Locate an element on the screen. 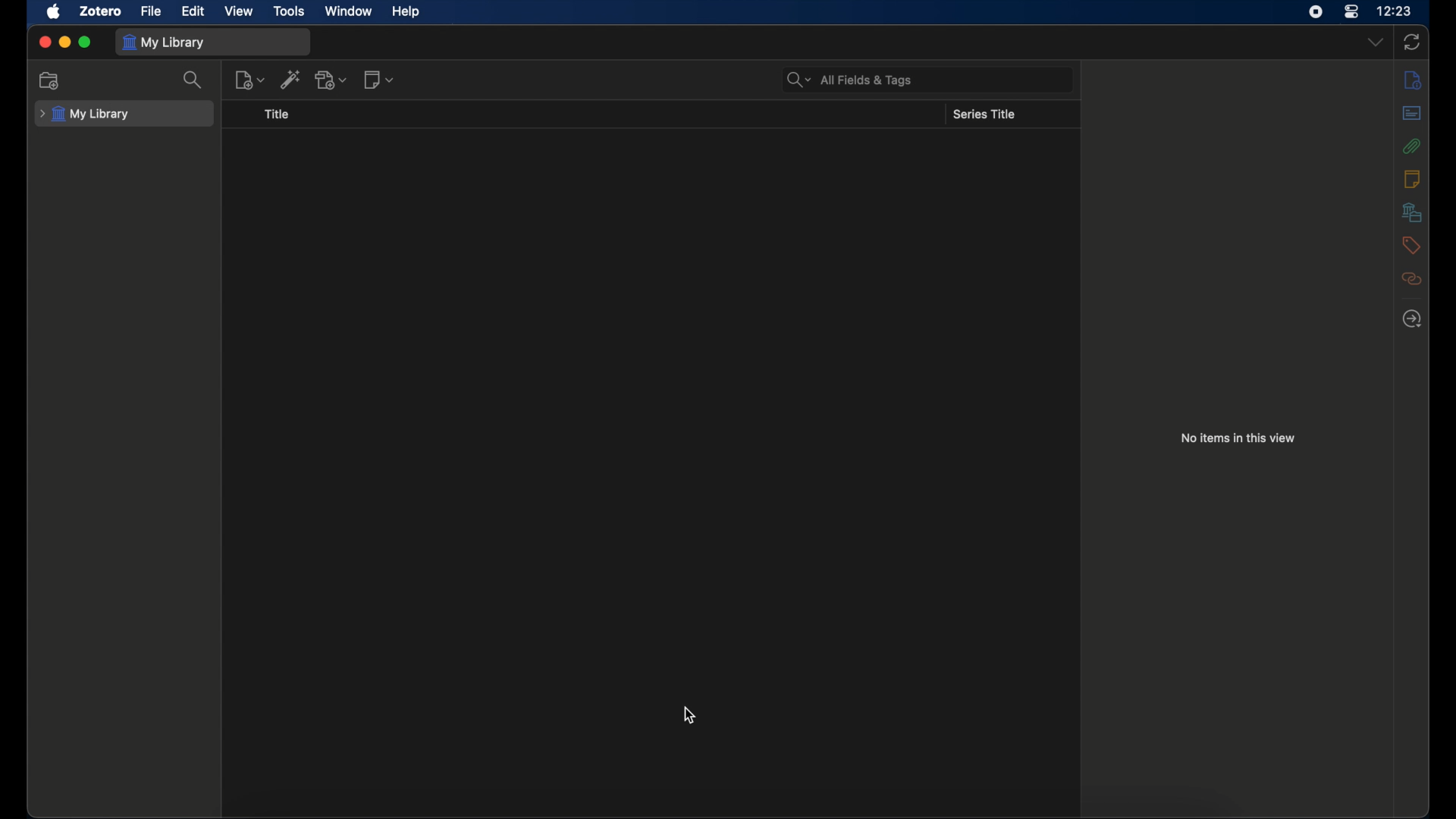 The image size is (1456, 819). search bar is located at coordinates (849, 80).